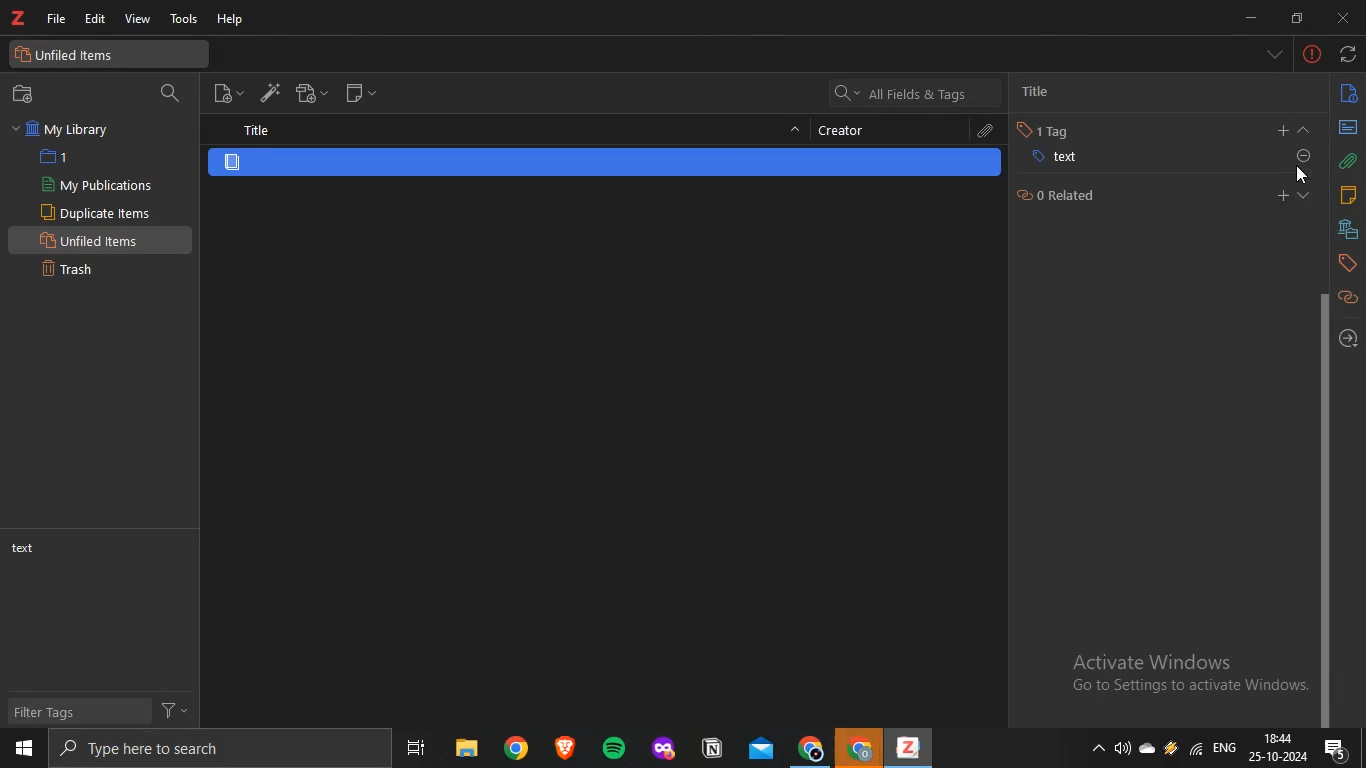  I want to click on -, so click(1312, 53).